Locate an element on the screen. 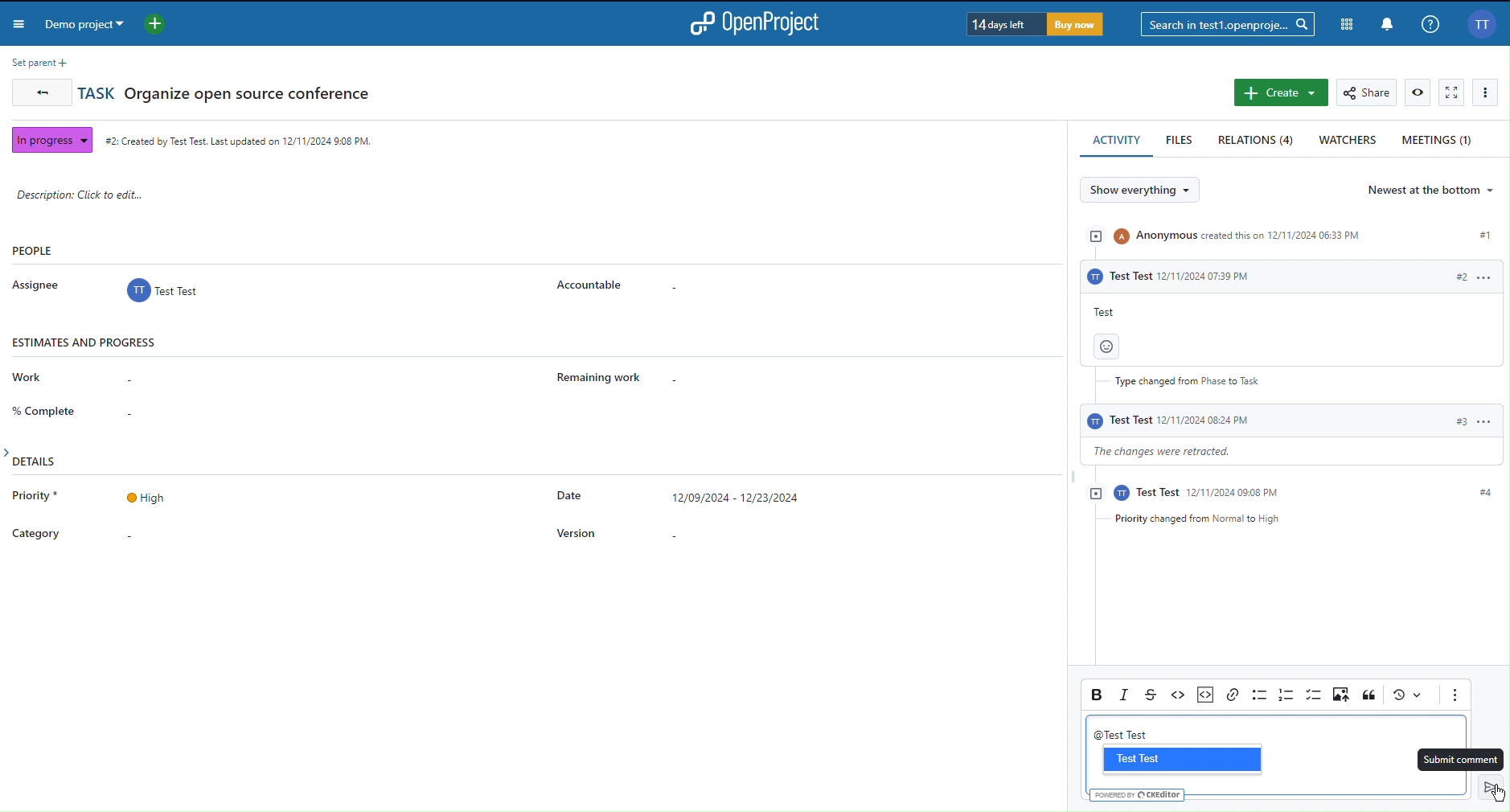 The height and width of the screenshot is (812, 1510). Search bar is located at coordinates (1226, 23).